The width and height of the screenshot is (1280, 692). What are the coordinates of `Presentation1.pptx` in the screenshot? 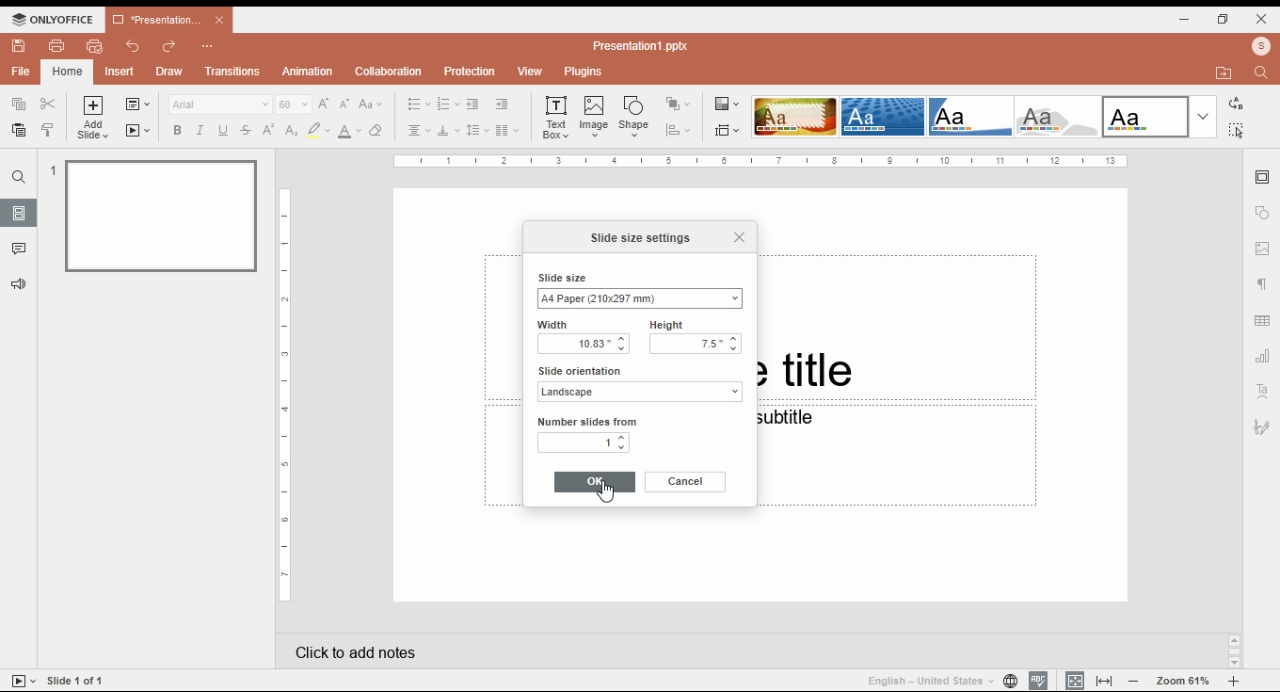 It's located at (644, 45).